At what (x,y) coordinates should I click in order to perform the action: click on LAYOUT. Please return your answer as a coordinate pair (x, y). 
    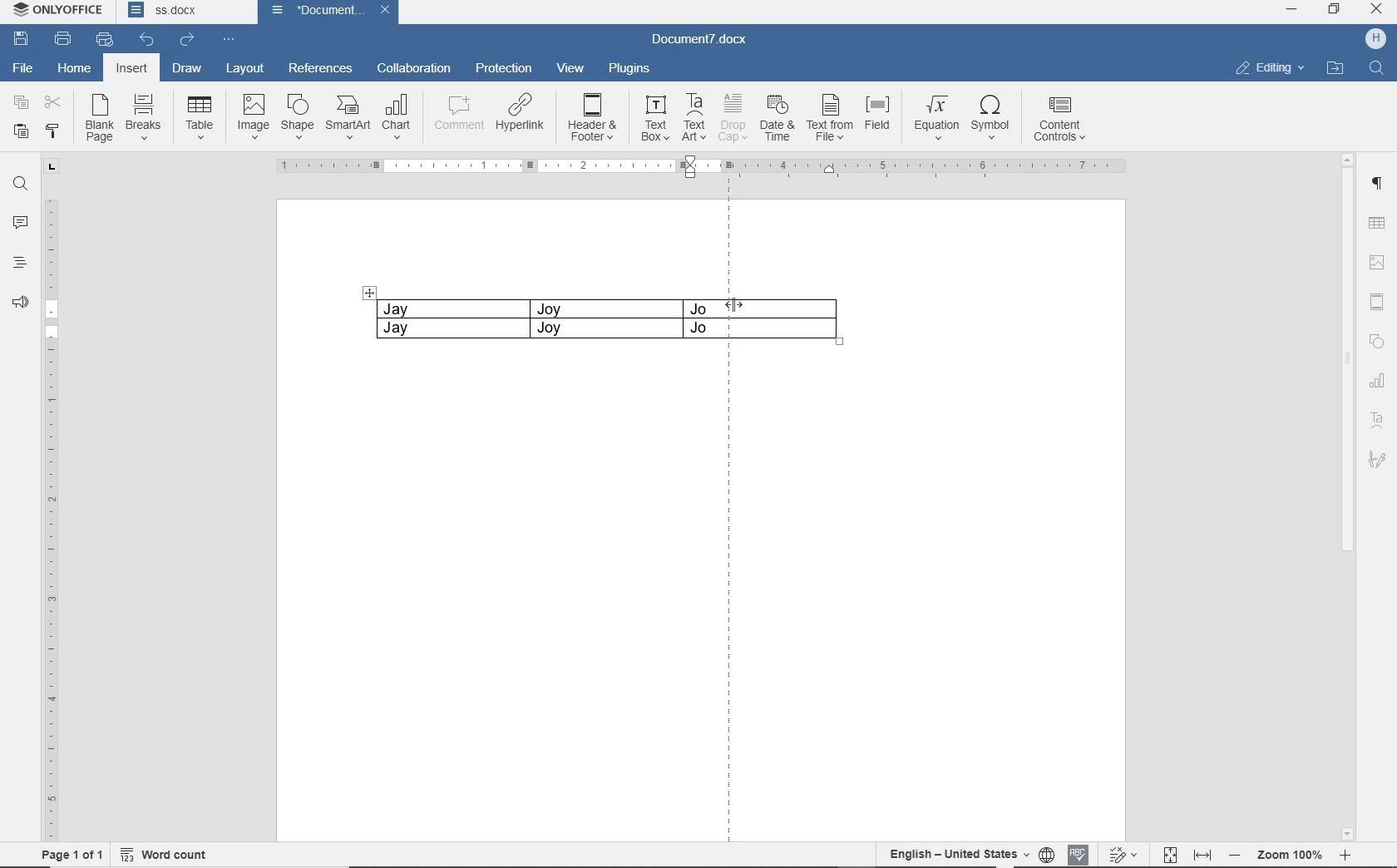
    Looking at the image, I should click on (245, 69).